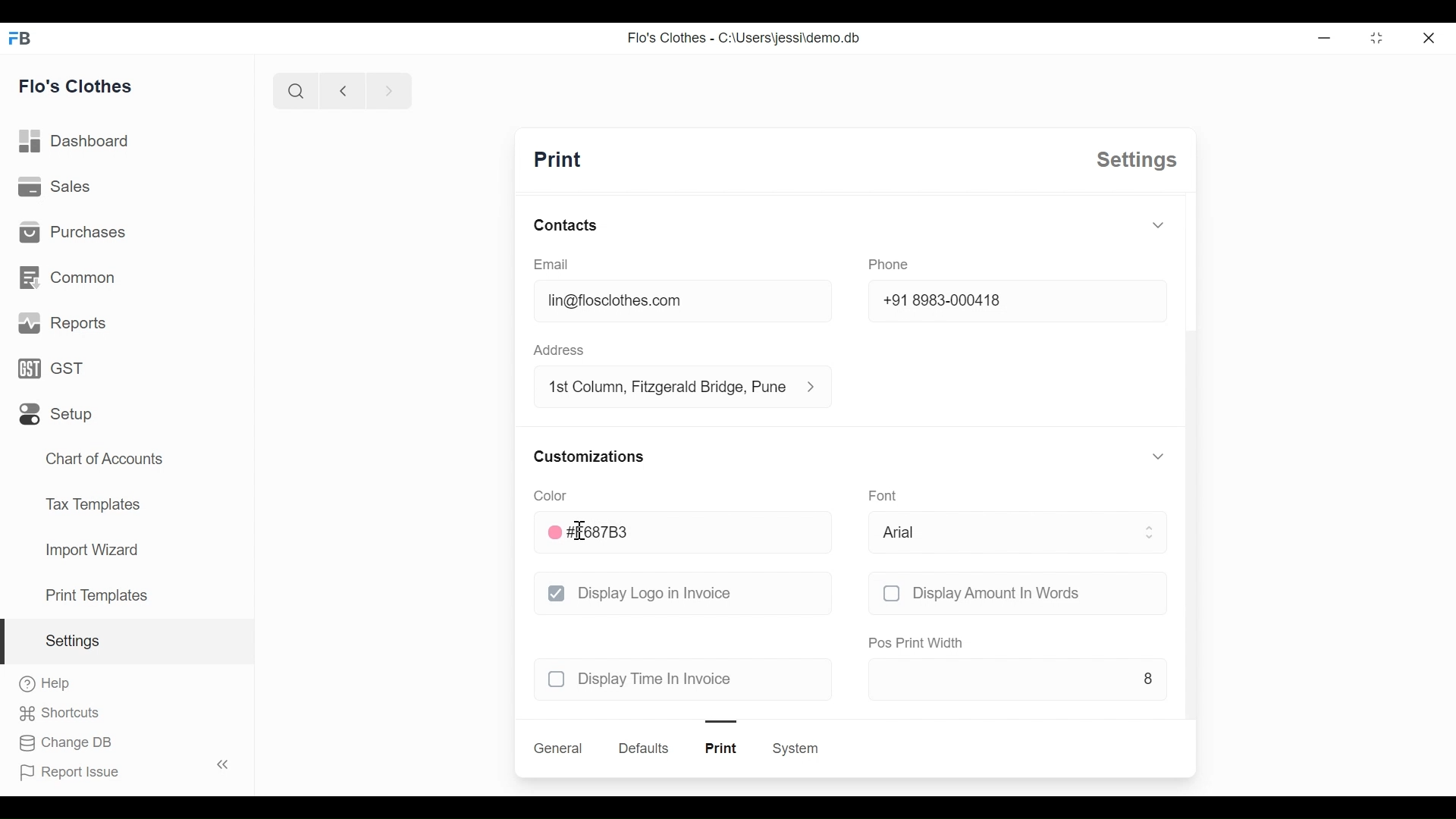 Image resolution: width=1456 pixels, height=819 pixels. Describe the element at coordinates (557, 679) in the screenshot. I see `checkbox` at that location.